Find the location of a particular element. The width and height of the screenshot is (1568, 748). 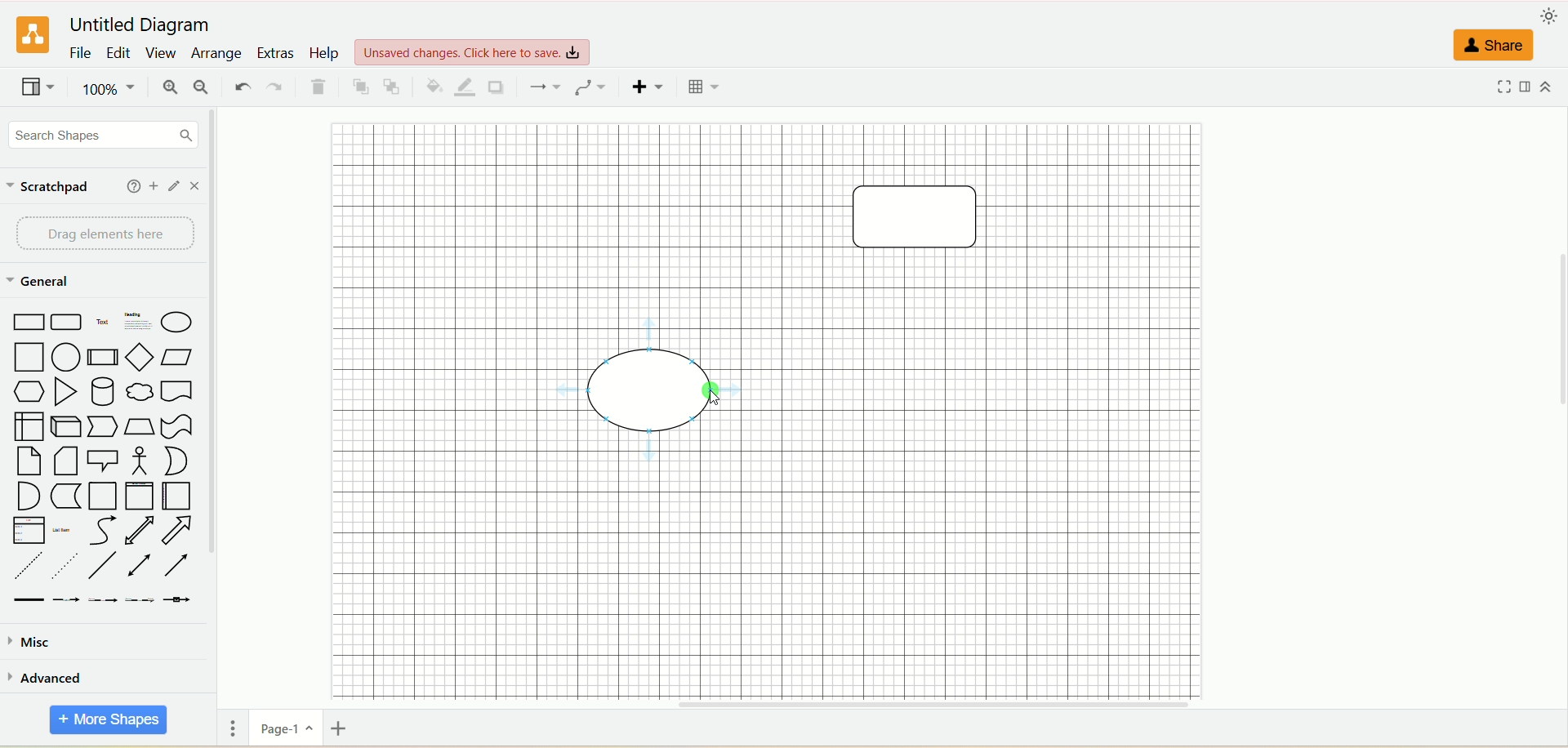

title is located at coordinates (143, 20).